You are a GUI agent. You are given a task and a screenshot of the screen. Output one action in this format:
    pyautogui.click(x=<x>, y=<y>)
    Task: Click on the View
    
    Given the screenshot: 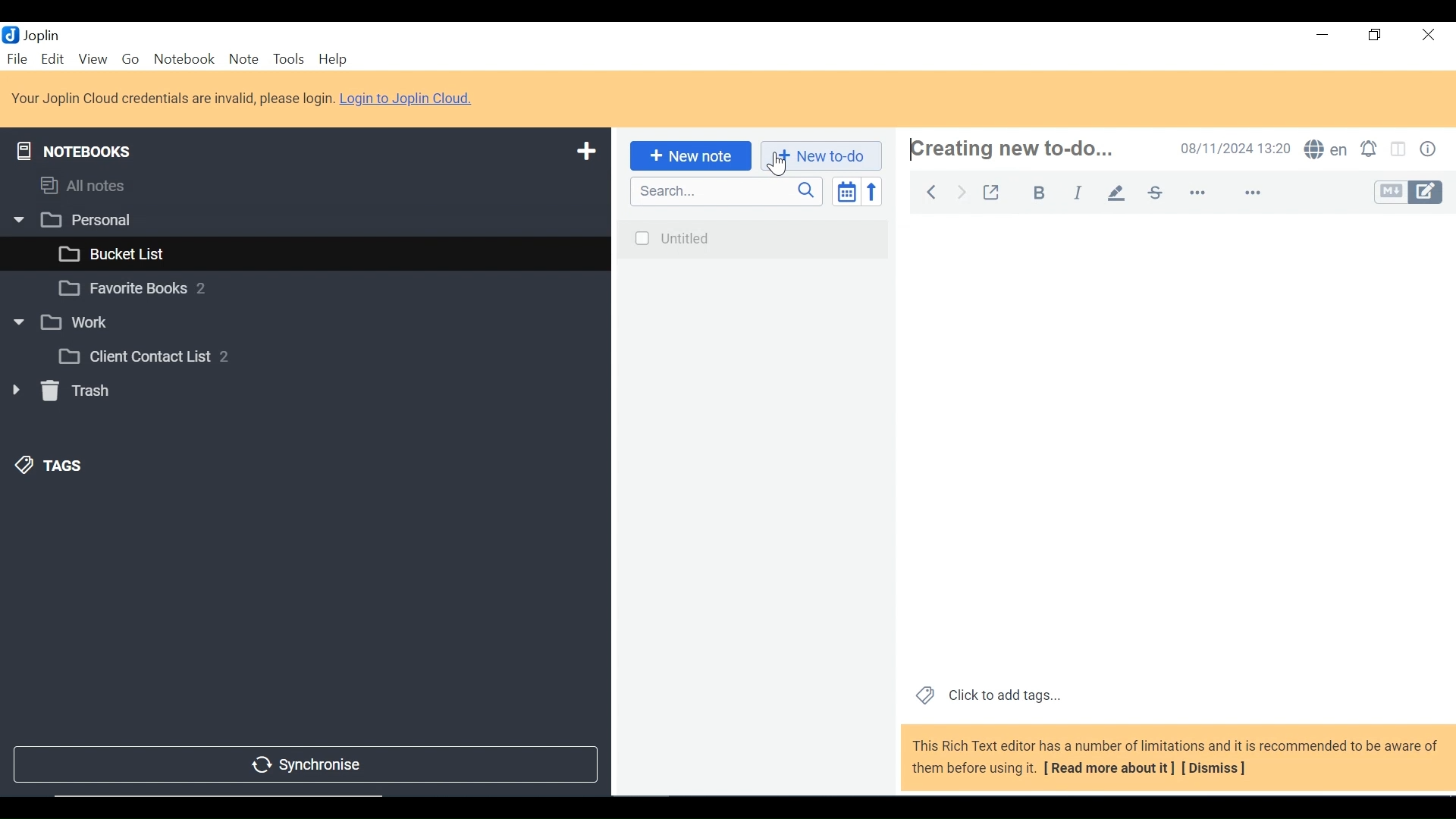 What is the action you would take?
    pyautogui.click(x=93, y=60)
    